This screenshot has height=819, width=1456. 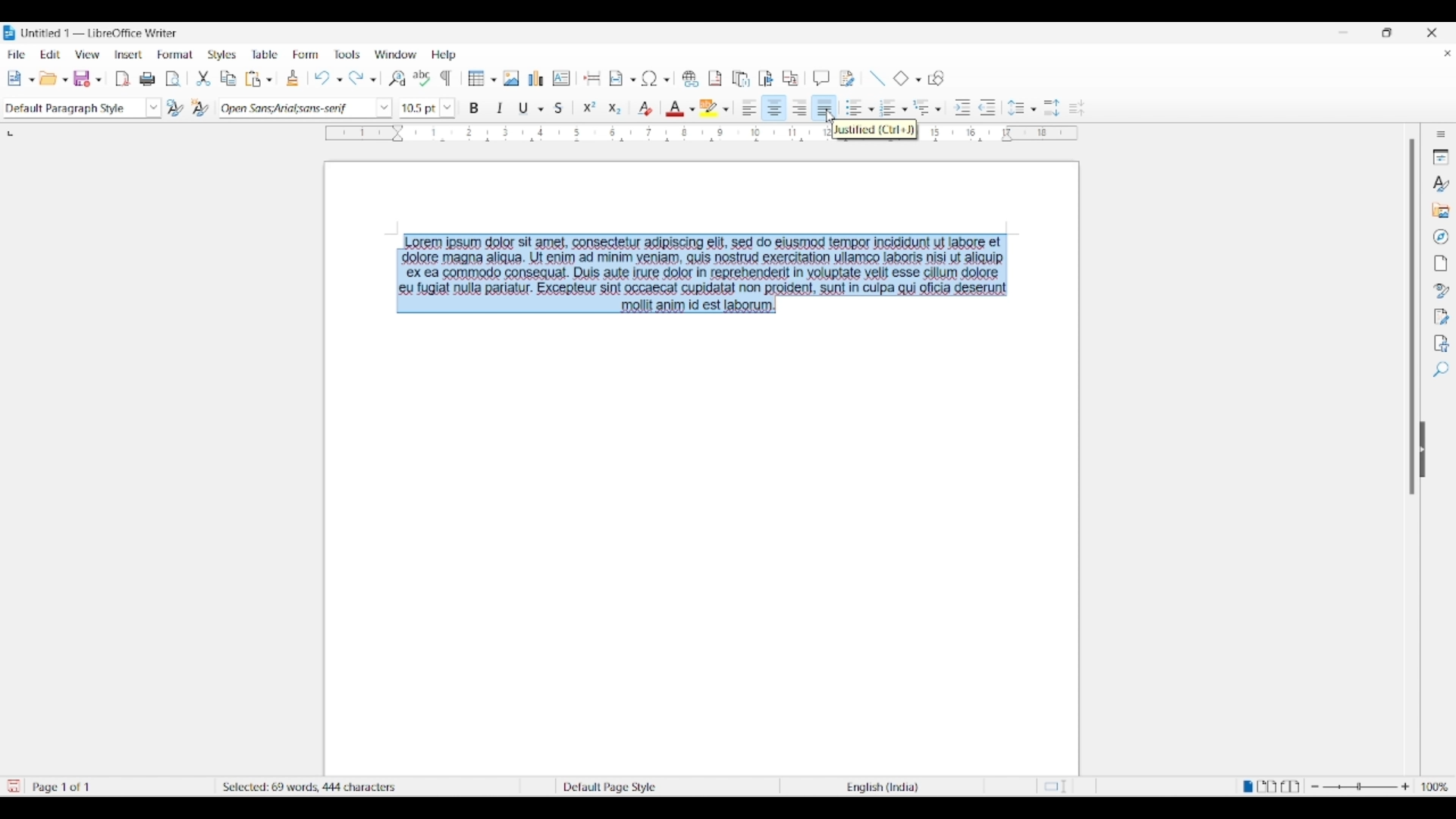 What do you see at coordinates (901, 77) in the screenshot?
I see `Selected basic shape` at bounding box center [901, 77].